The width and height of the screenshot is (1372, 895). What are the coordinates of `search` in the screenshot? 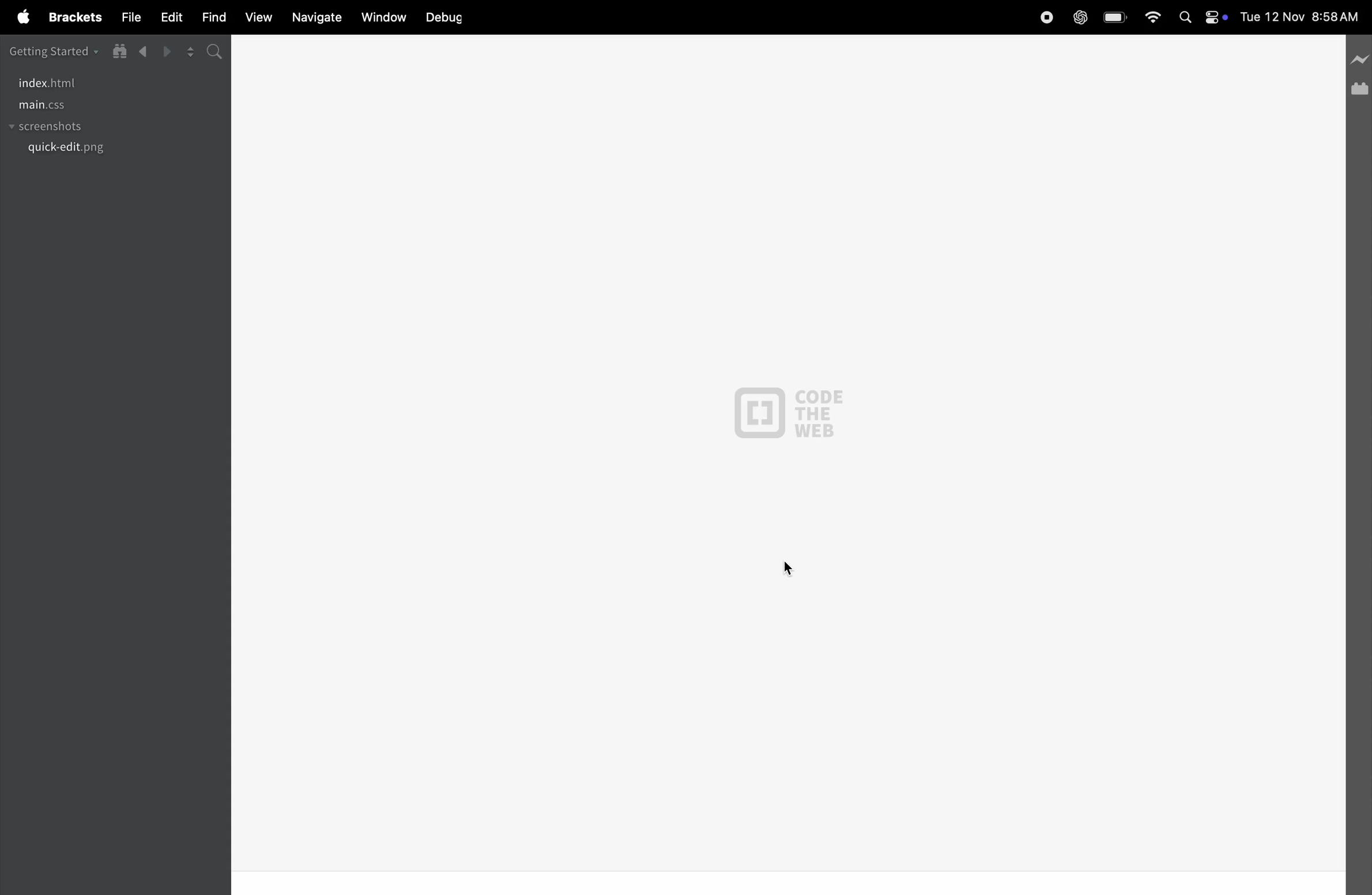 It's located at (217, 54).